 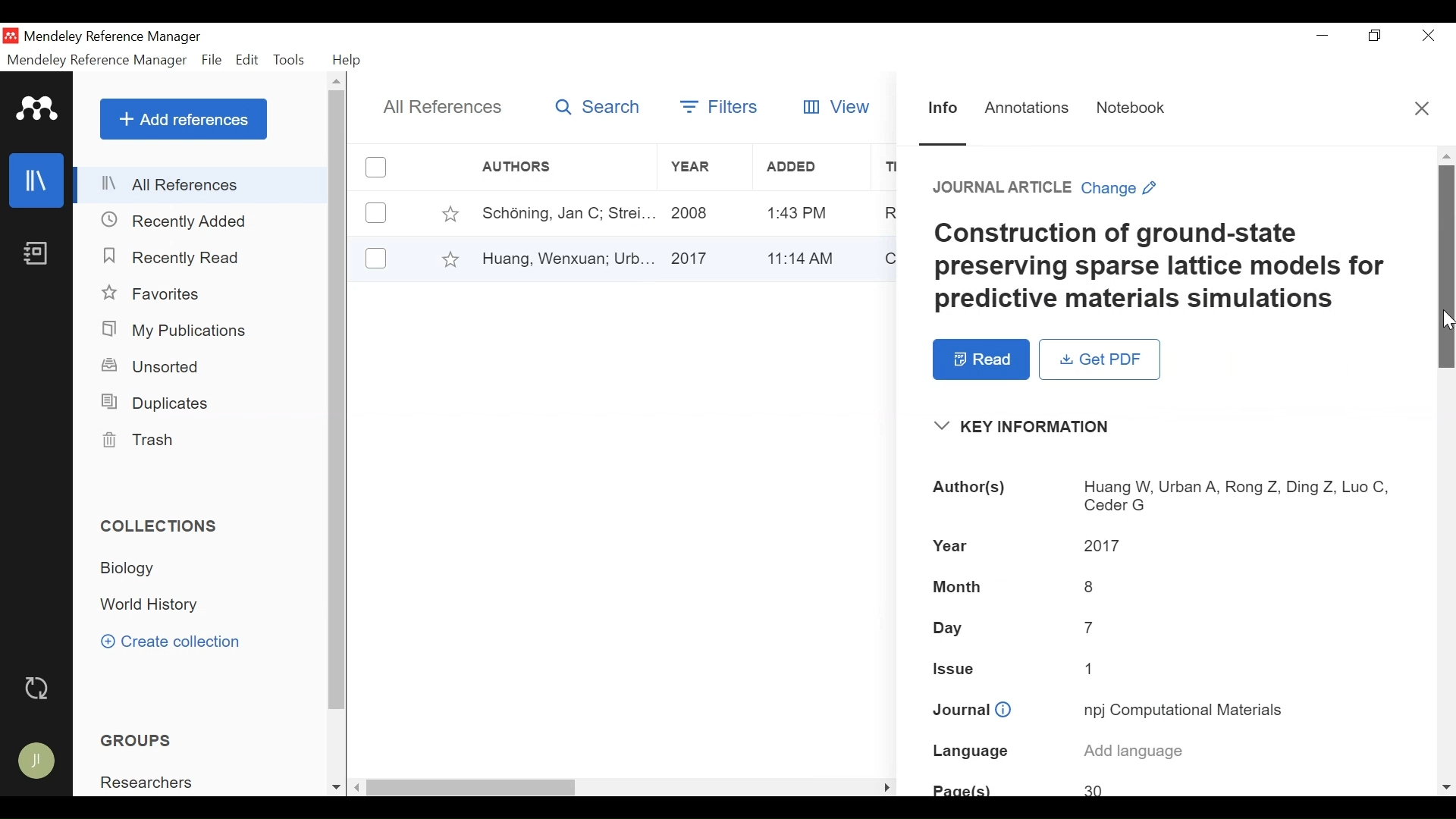 I want to click on Journal, so click(x=1167, y=711).